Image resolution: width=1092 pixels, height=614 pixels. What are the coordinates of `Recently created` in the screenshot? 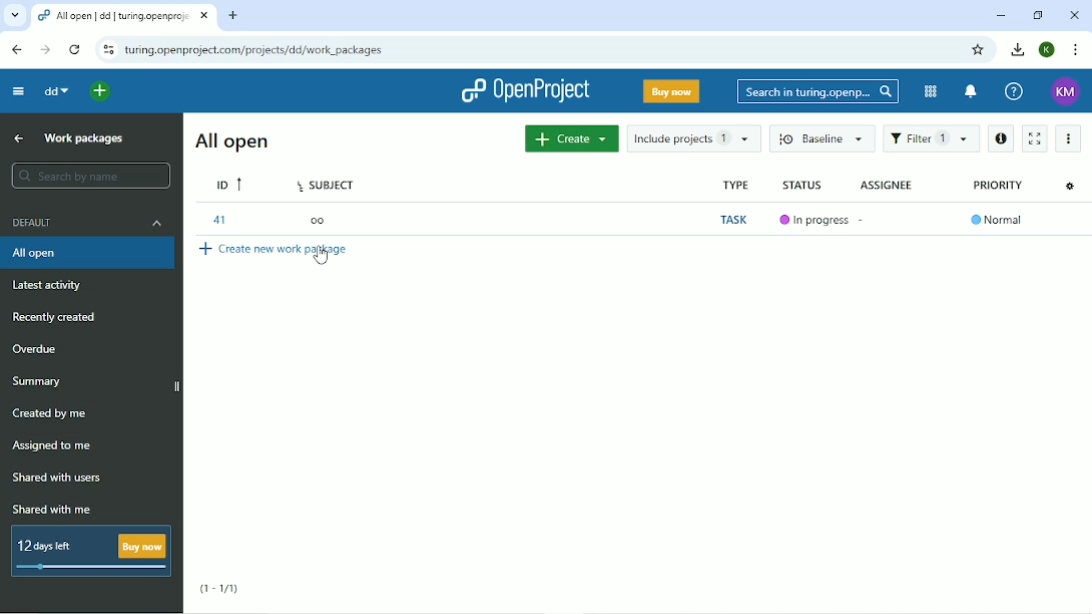 It's located at (62, 317).